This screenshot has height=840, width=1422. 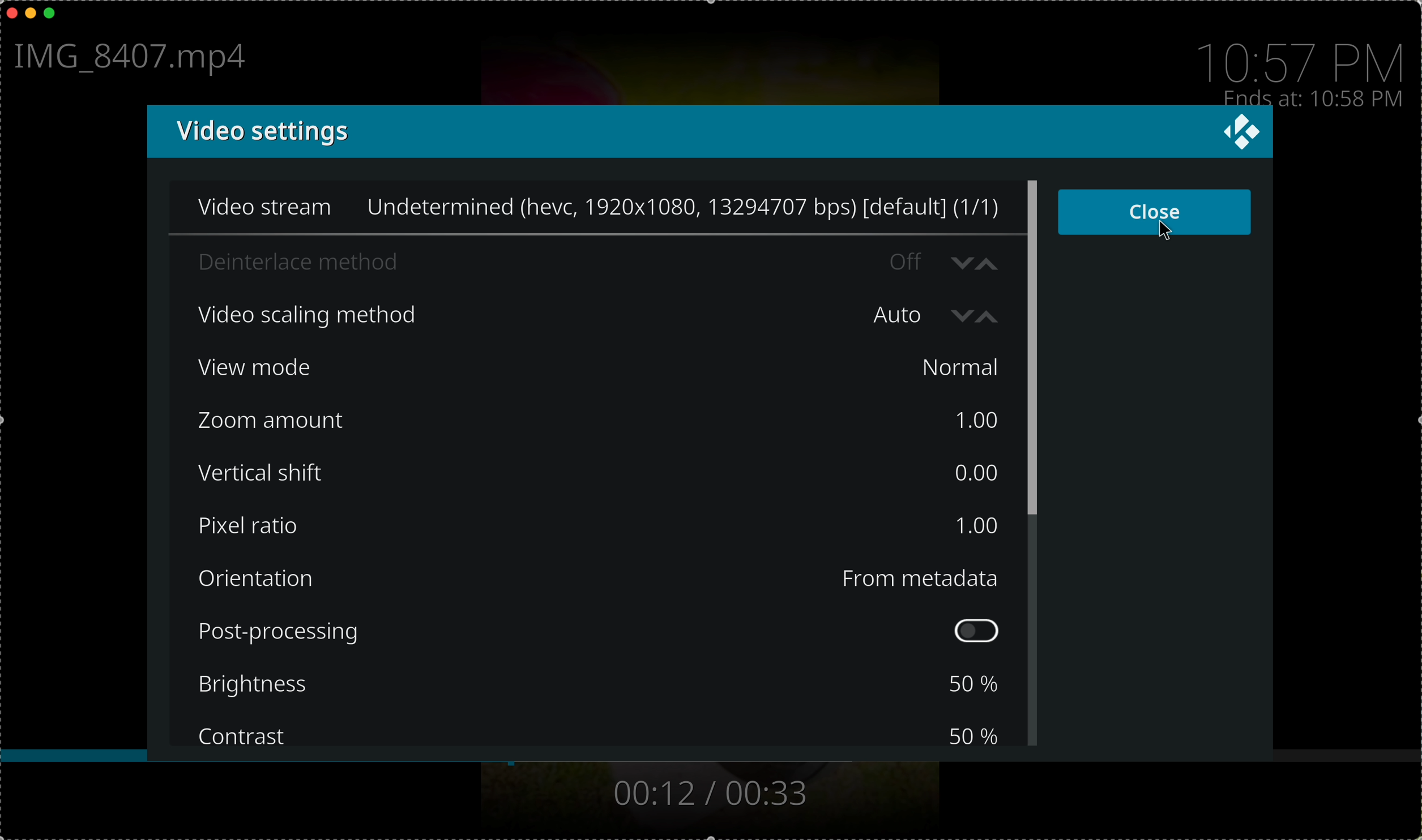 What do you see at coordinates (976, 260) in the screenshot?
I see `change value` at bounding box center [976, 260].